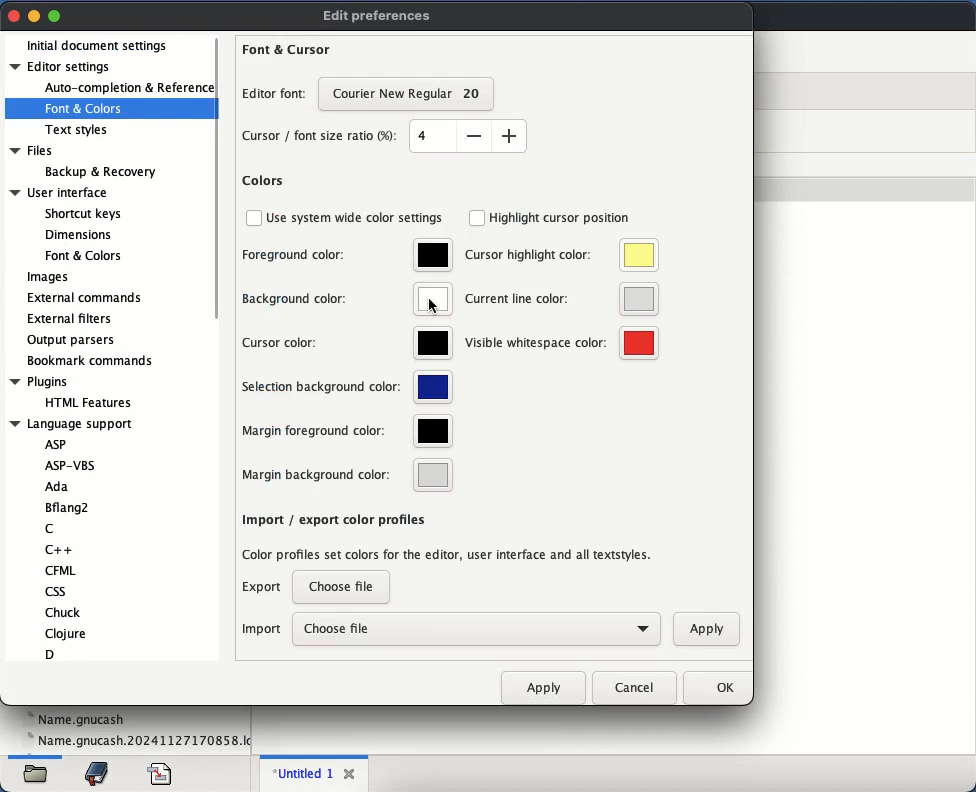 Image resolution: width=976 pixels, height=792 pixels. I want to click on Clojure, so click(65, 634).